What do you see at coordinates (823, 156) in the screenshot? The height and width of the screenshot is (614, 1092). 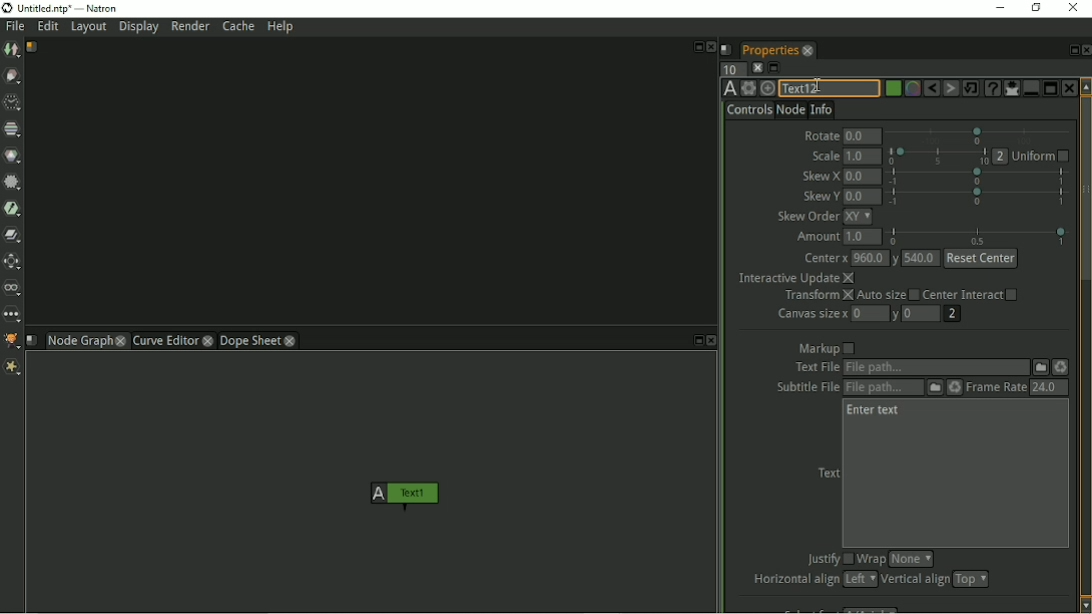 I see `Scale` at bounding box center [823, 156].